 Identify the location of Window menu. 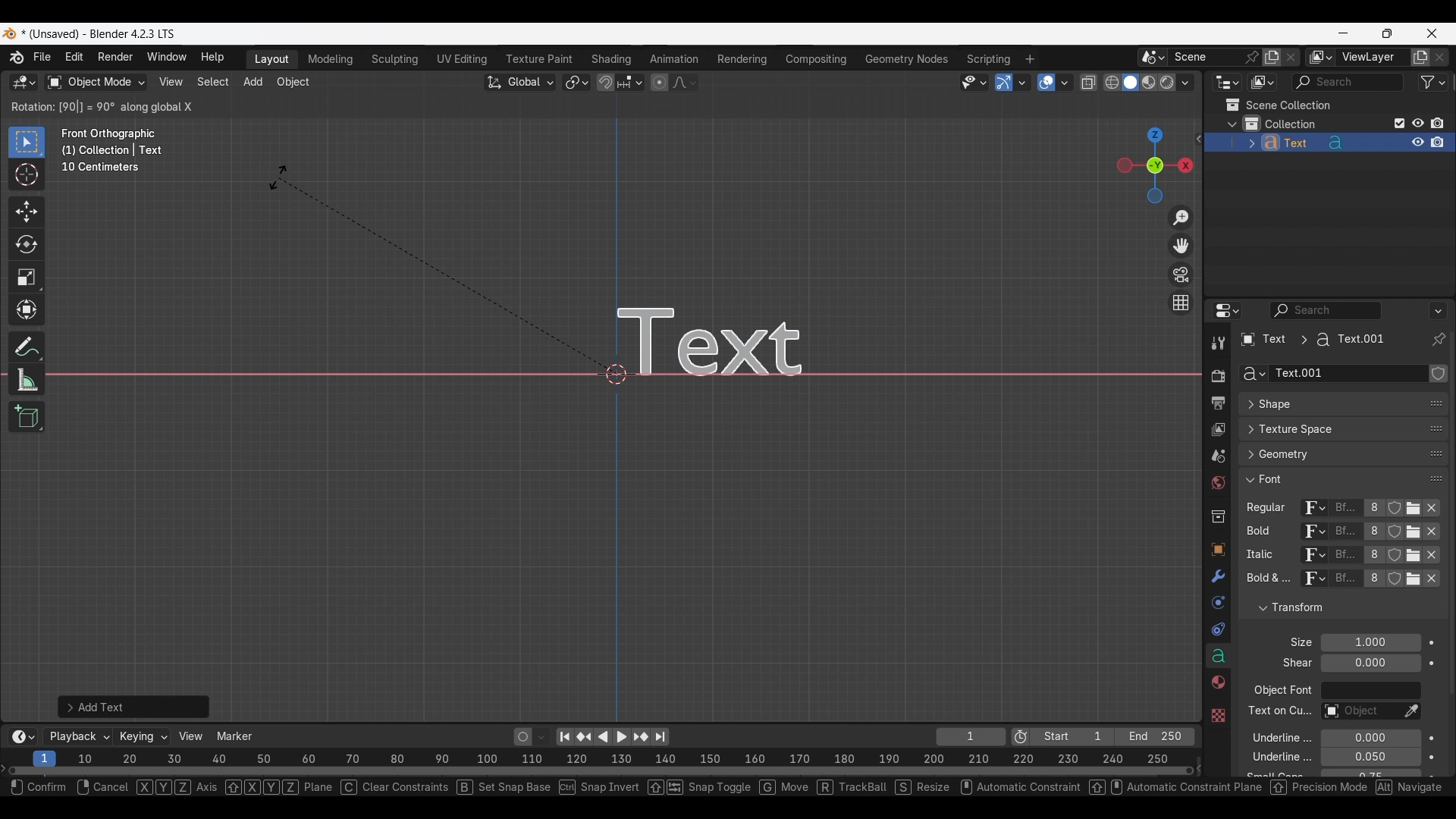
(167, 58).